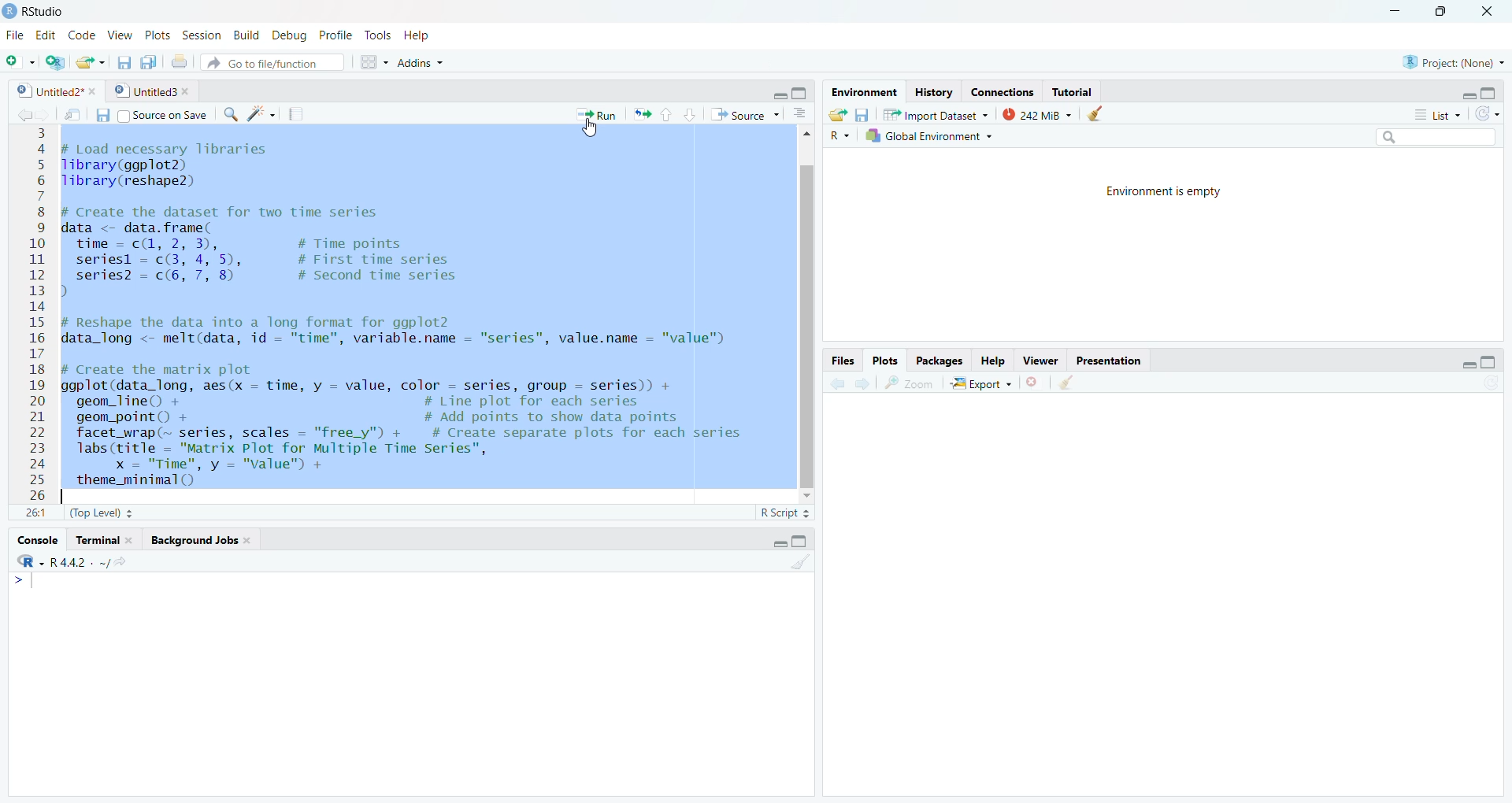 The image size is (1512, 803). I want to click on new file, so click(20, 62).